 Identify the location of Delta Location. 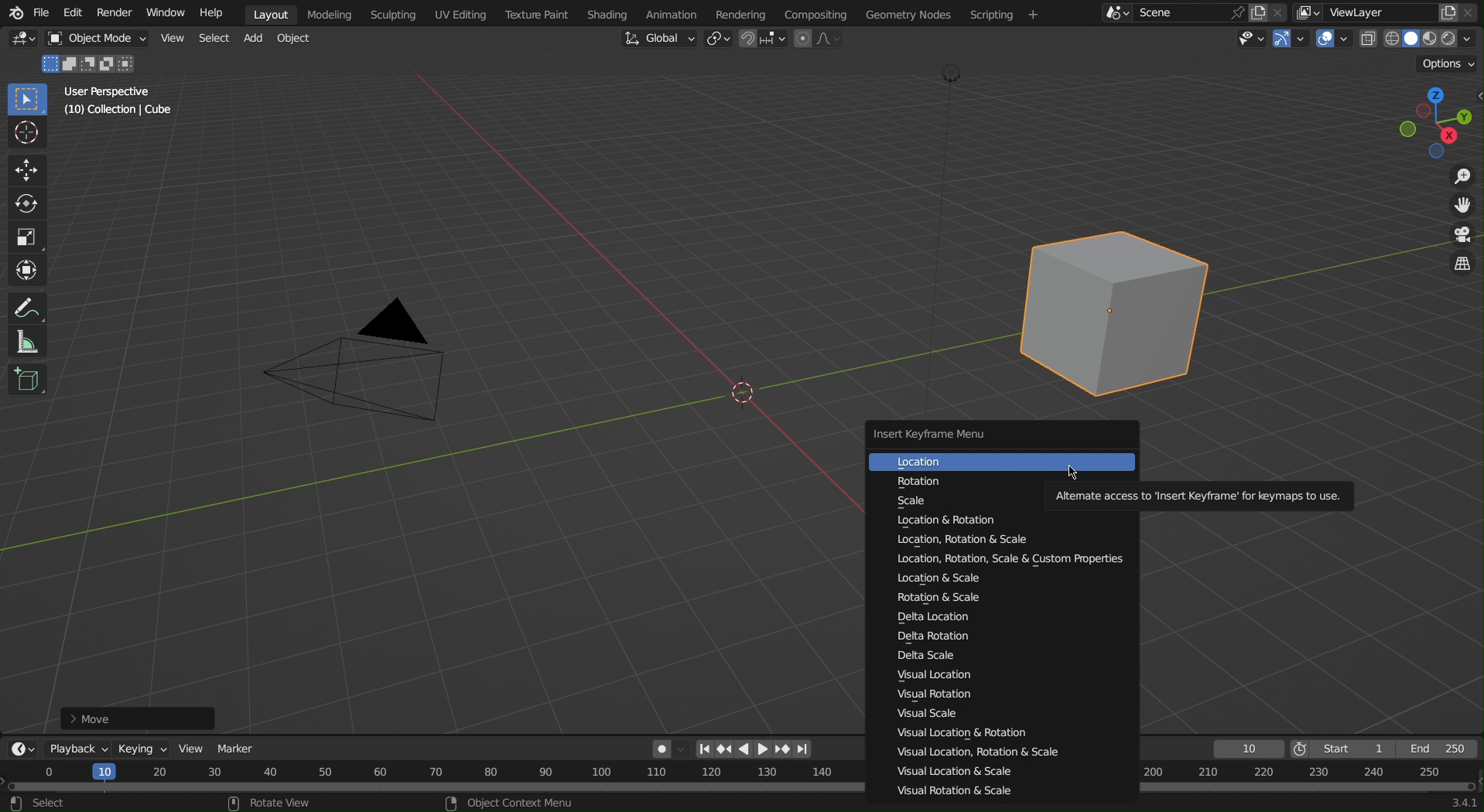
(939, 618).